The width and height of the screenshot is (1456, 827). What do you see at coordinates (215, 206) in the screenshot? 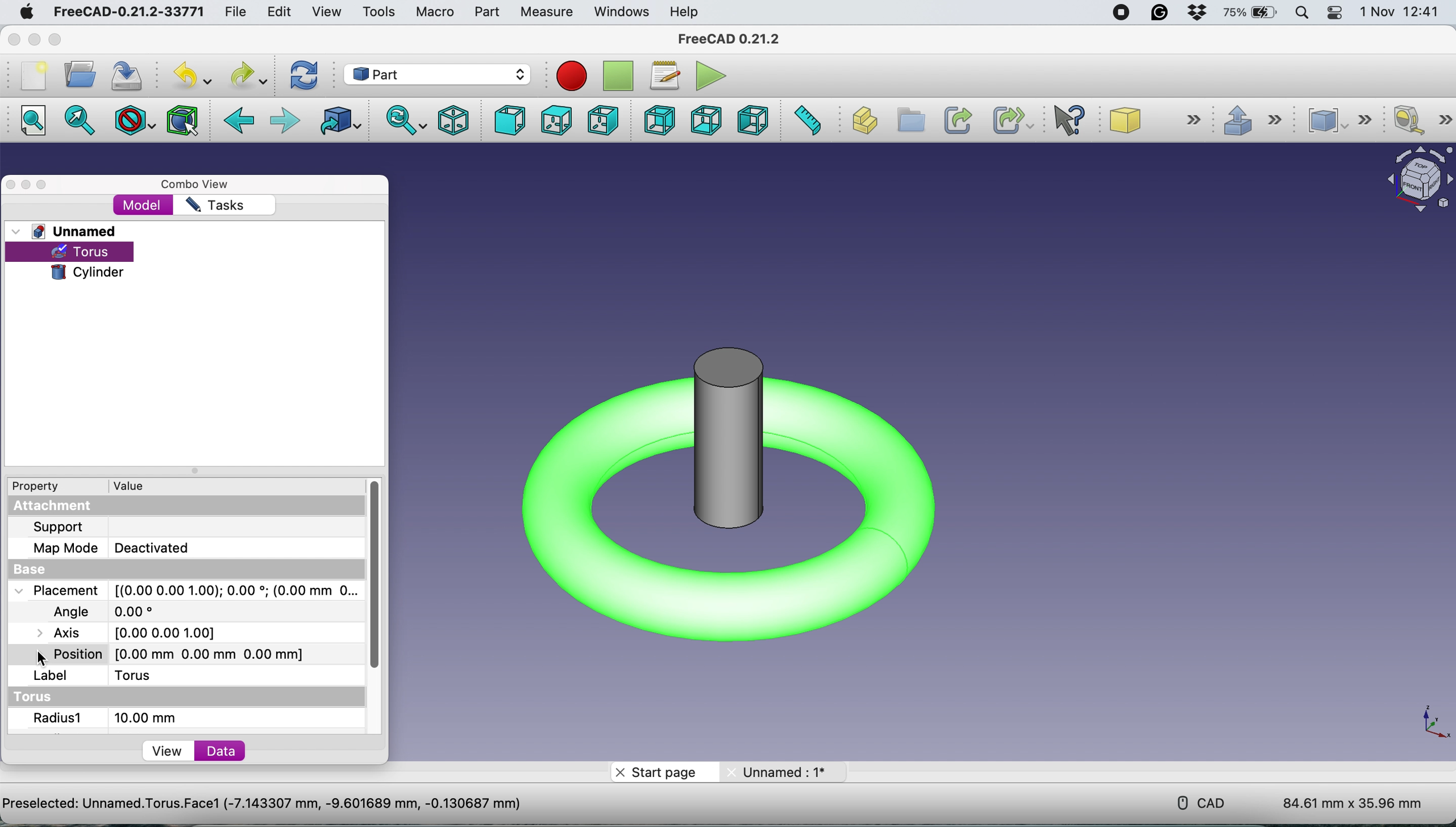
I see `tasks` at bounding box center [215, 206].